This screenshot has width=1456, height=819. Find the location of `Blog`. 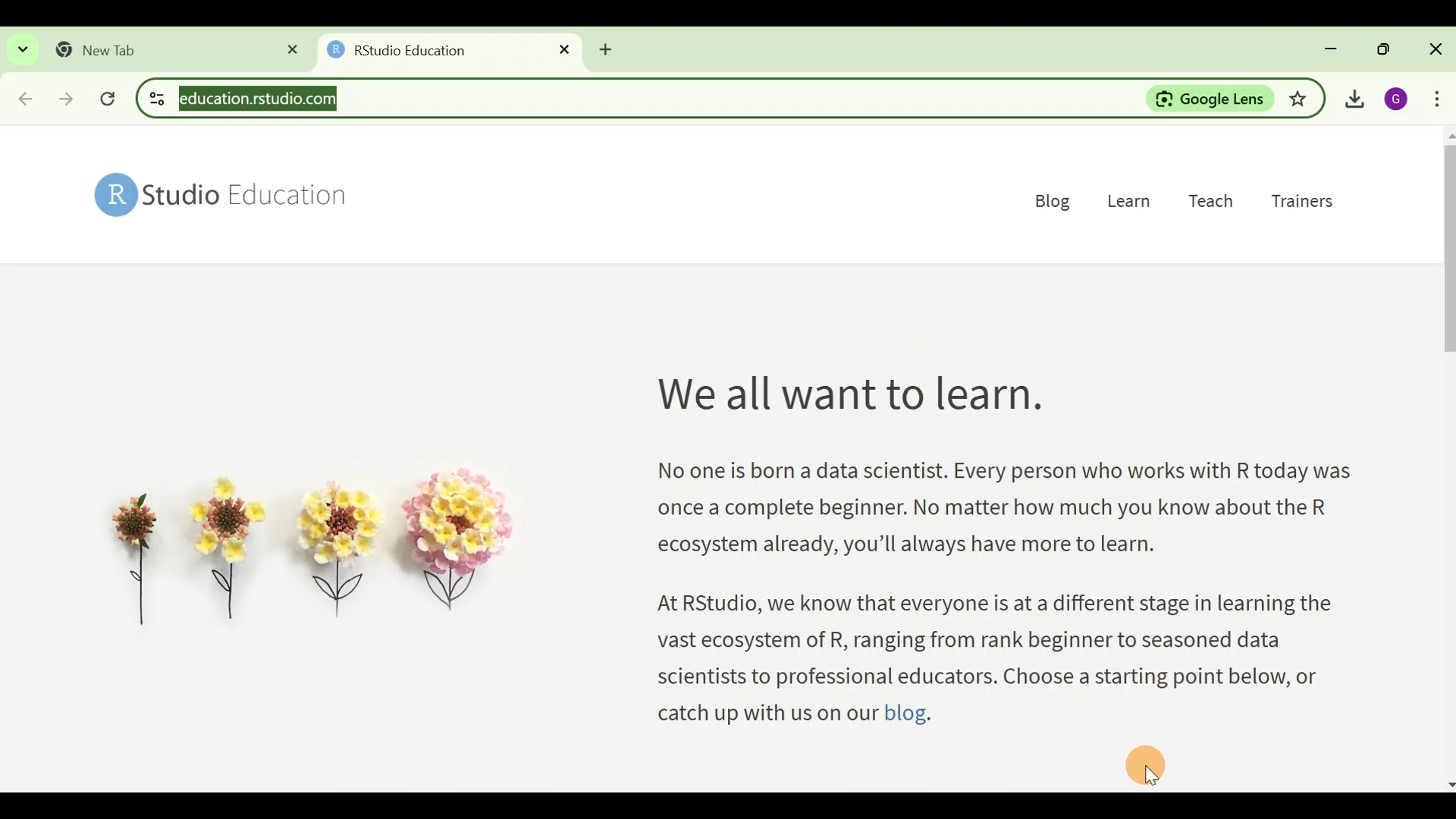

Blog is located at coordinates (1047, 199).